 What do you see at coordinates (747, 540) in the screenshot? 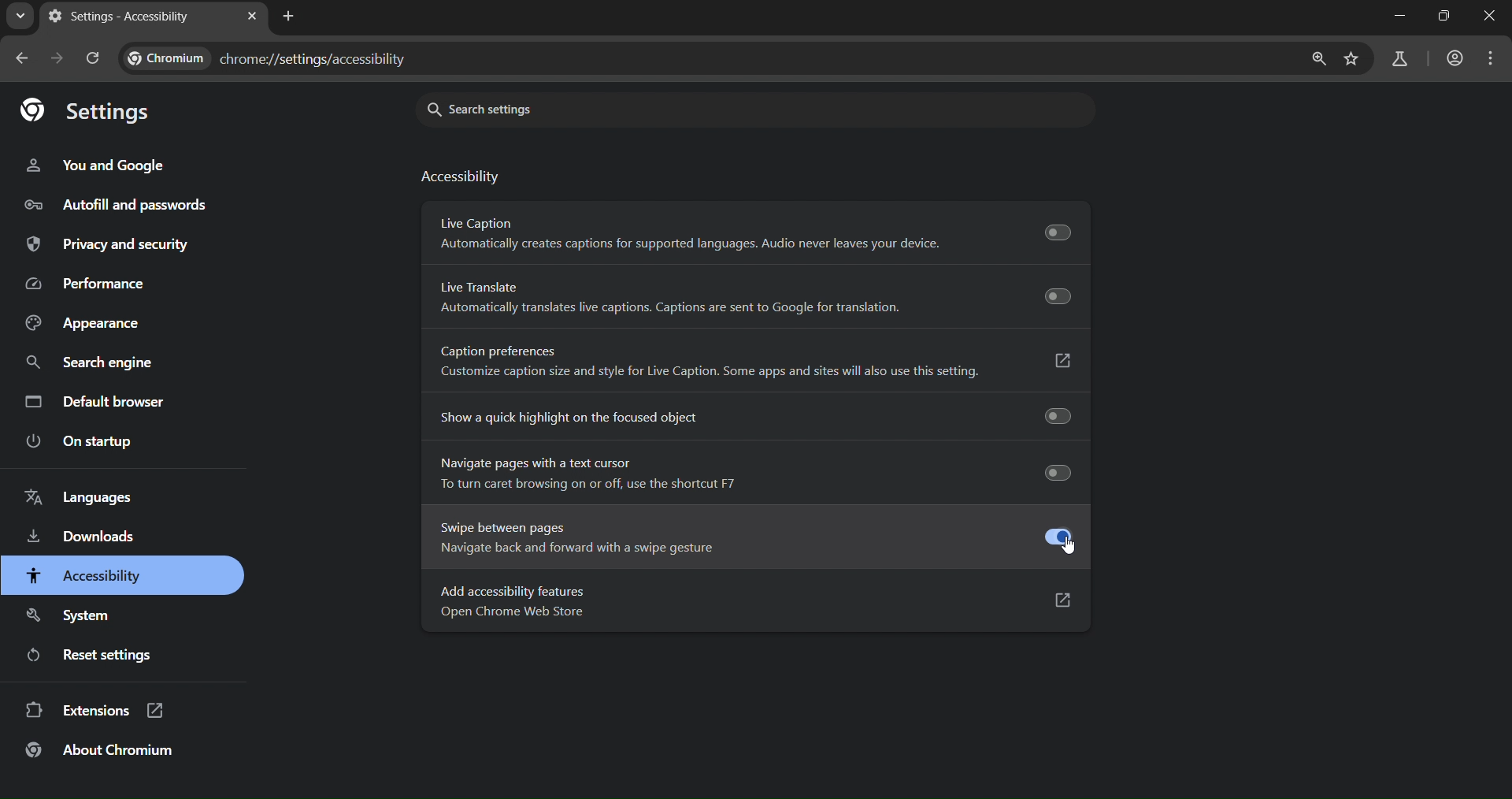
I see `Swipe between pages
Navigate back and forward with a swipe gesture` at bounding box center [747, 540].